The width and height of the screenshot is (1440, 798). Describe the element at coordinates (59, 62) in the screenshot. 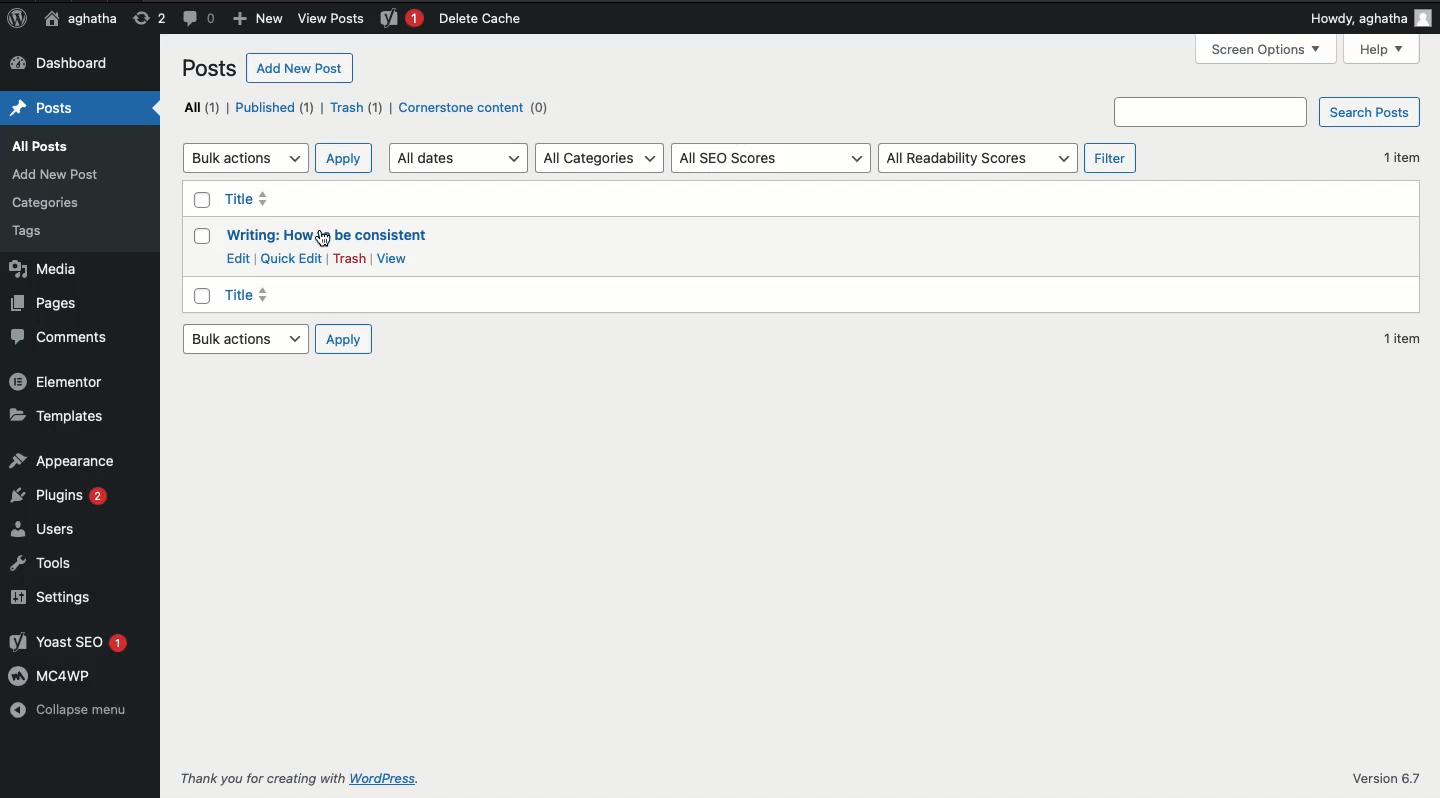

I see `Dashboard` at that location.